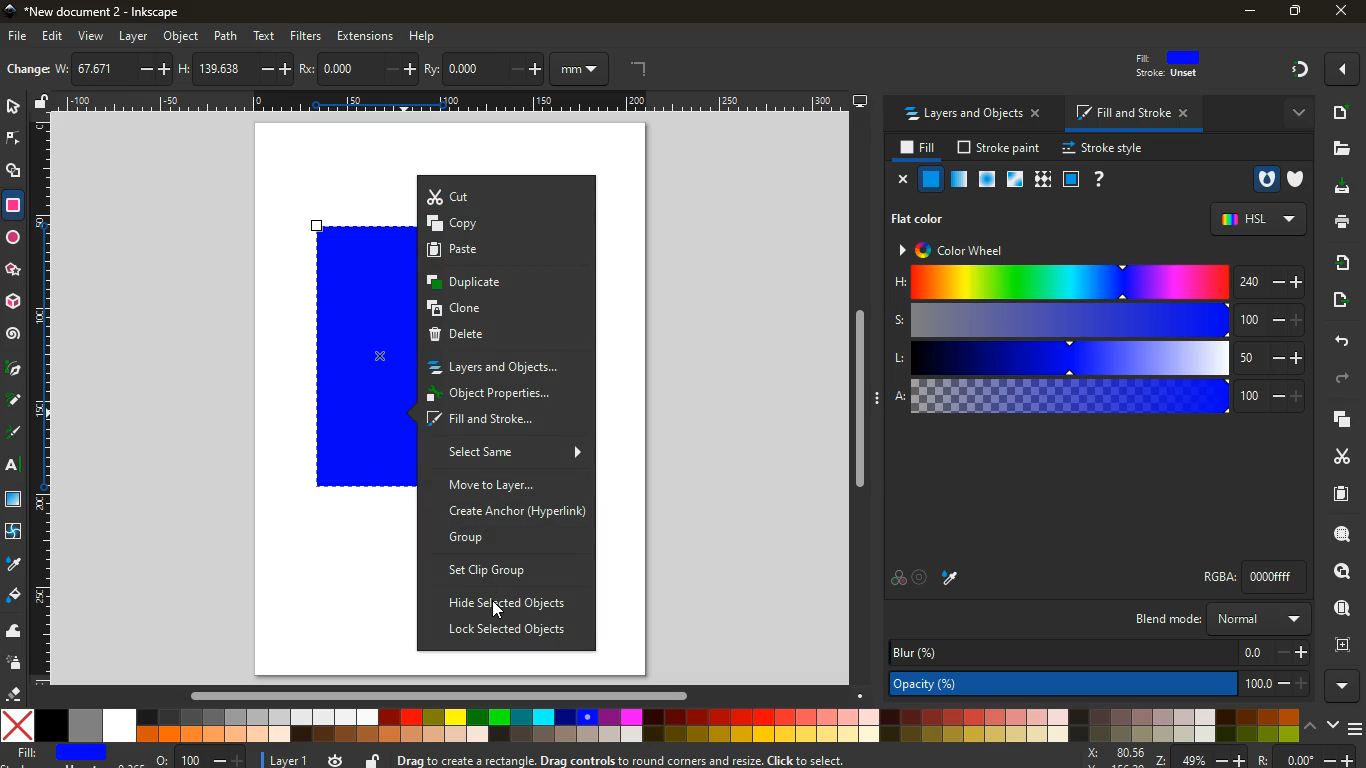  Describe the element at coordinates (1293, 10) in the screenshot. I see `maximize` at that location.